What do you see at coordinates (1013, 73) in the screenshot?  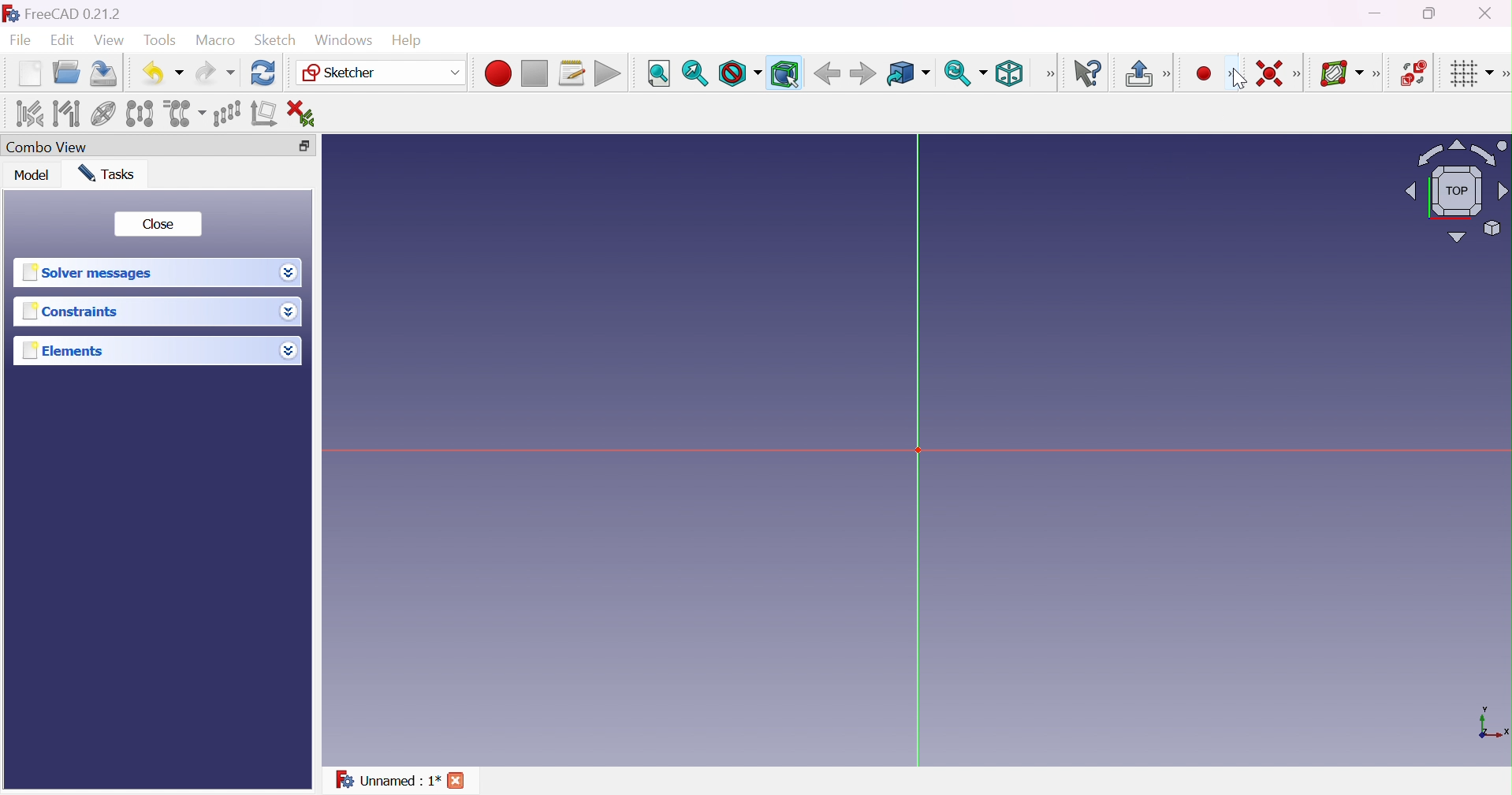 I see `Isometric` at bounding box center [1013, 73].